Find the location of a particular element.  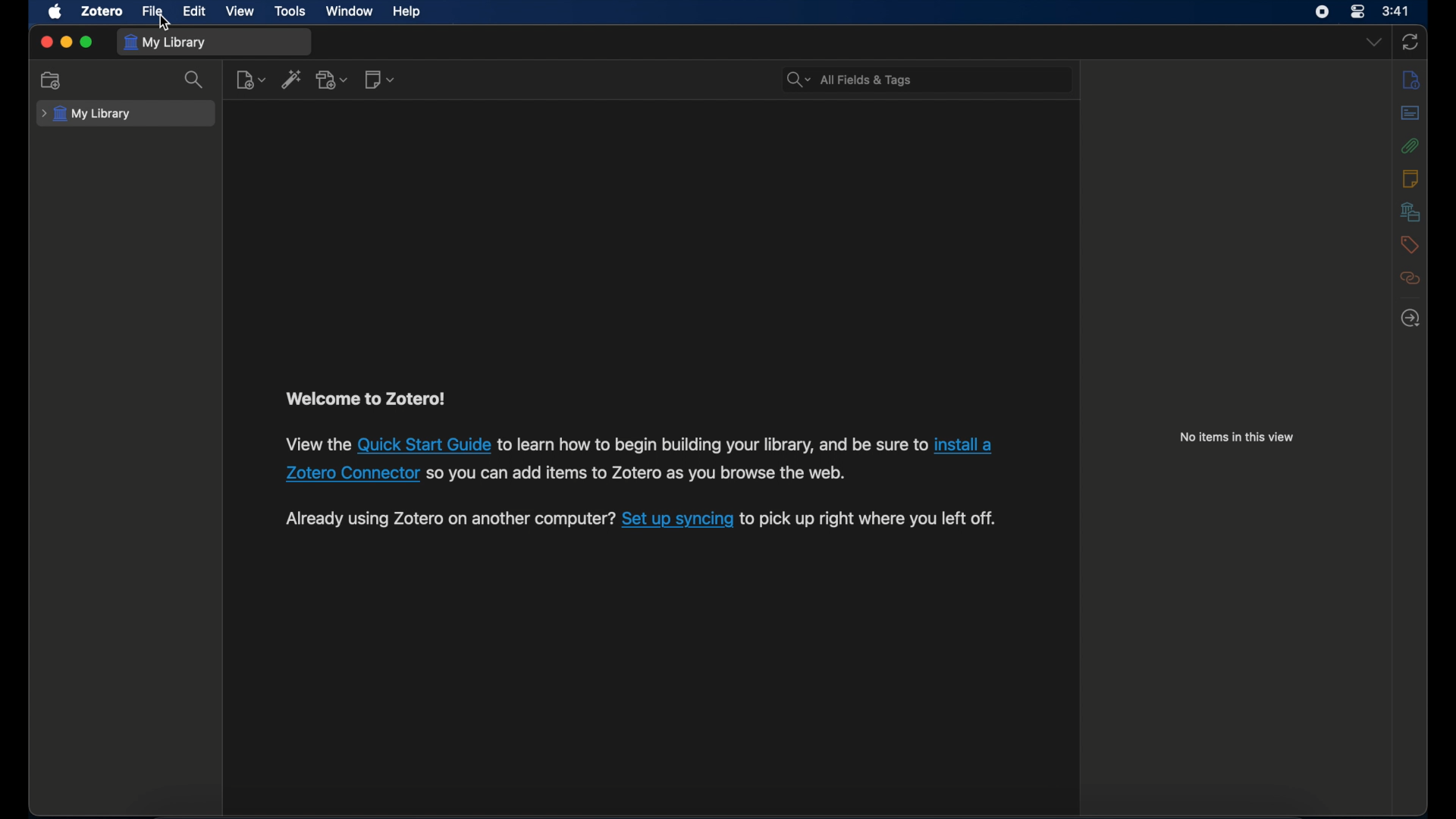

file is located at coordinates (153, 11).